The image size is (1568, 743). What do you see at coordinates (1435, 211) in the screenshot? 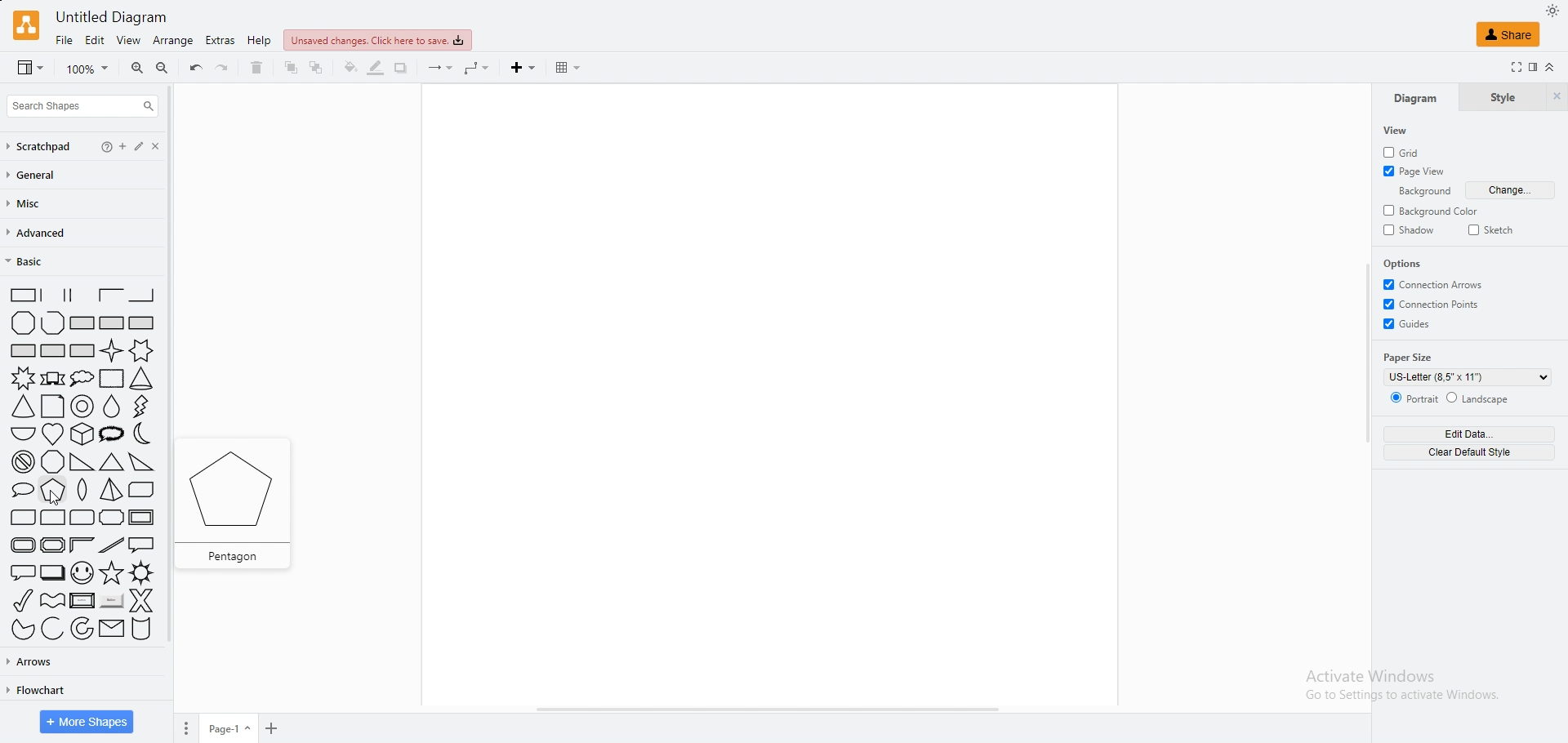
I see `background color` at bounding box center [1435, 211].